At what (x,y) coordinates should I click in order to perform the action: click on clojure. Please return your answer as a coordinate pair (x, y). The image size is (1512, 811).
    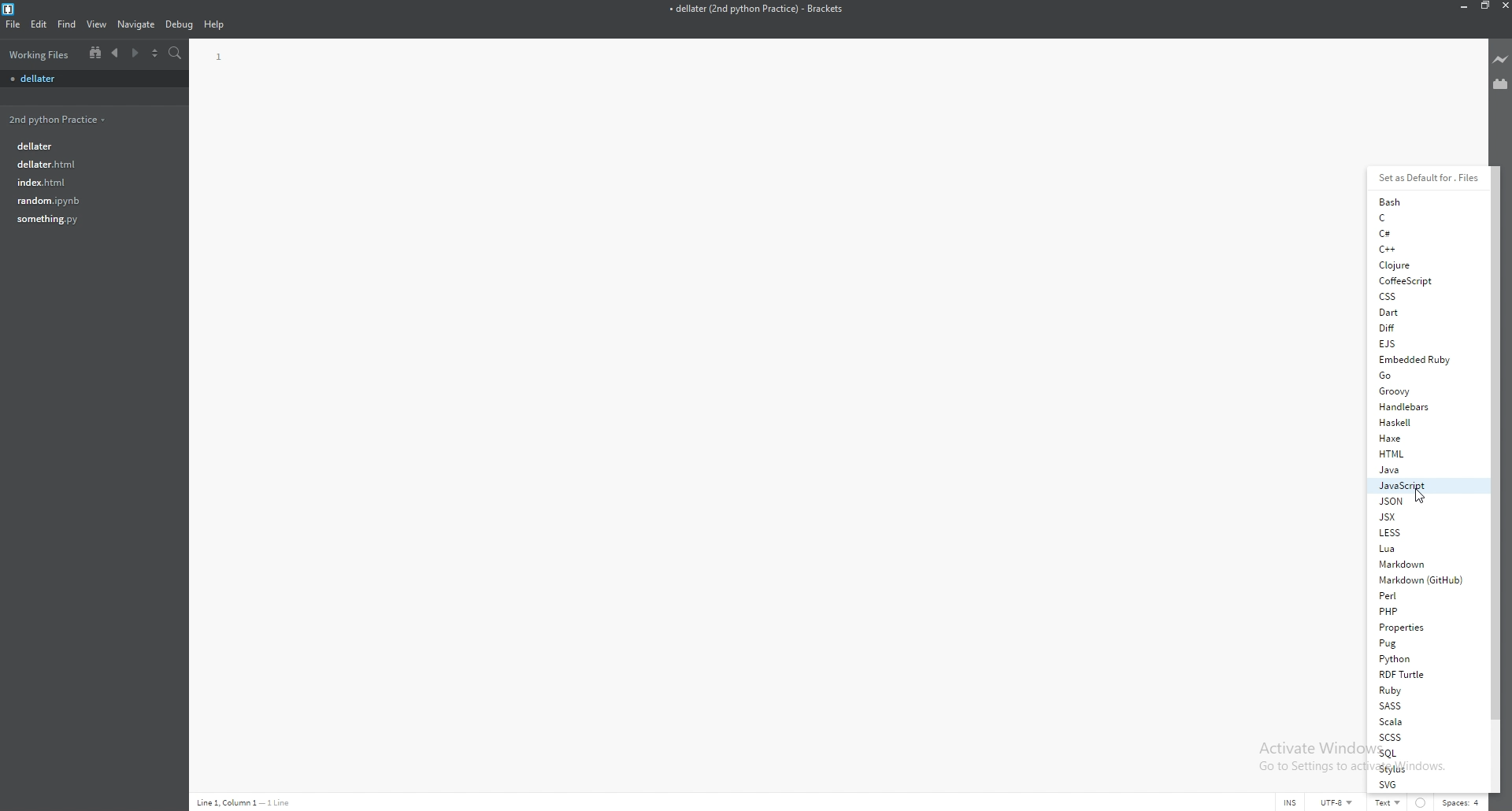
    Looking at the image, I should click on (1421, 265).